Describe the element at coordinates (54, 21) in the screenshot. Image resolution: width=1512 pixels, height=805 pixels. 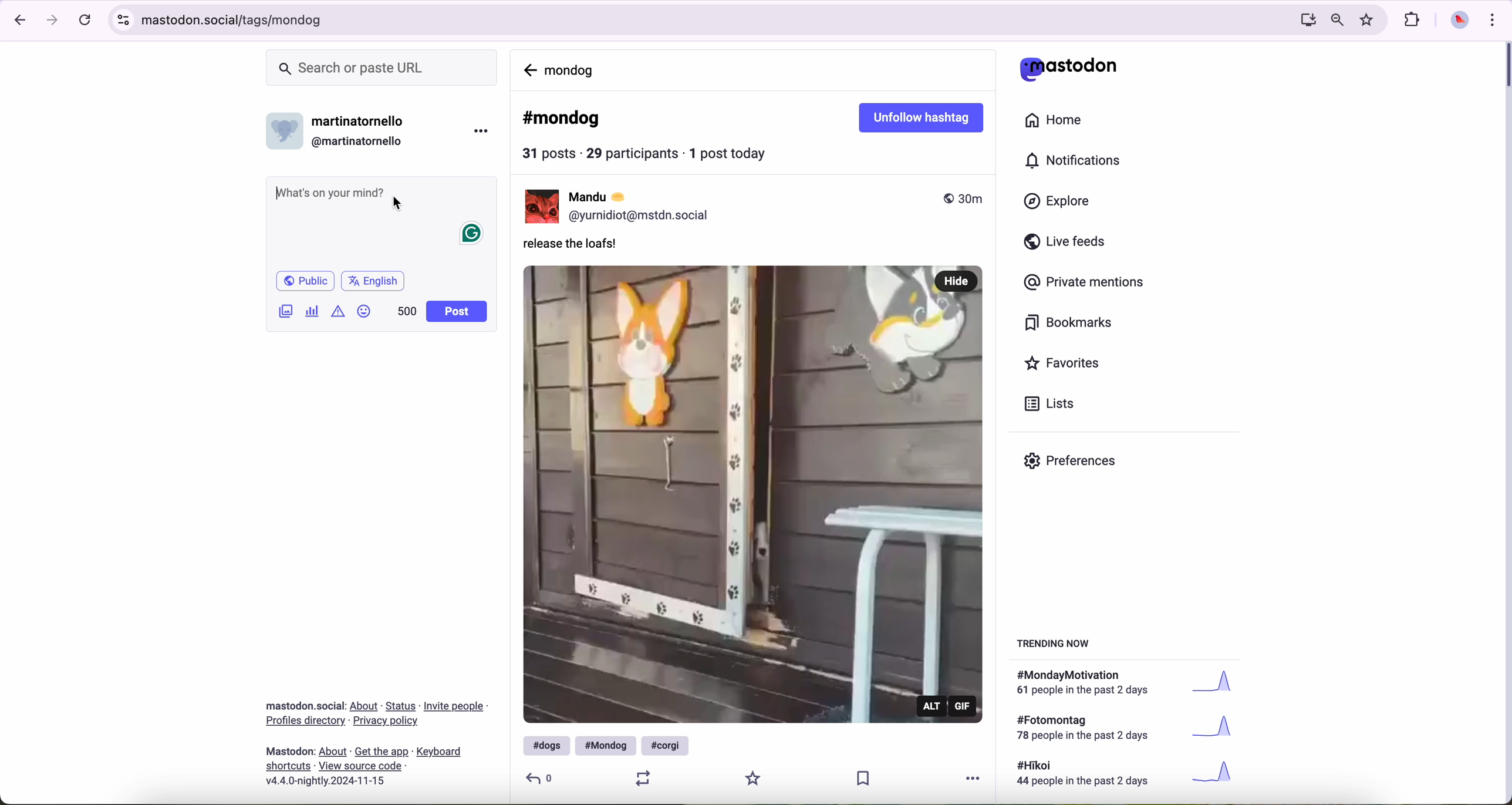
I see `navigate foward` at that location.